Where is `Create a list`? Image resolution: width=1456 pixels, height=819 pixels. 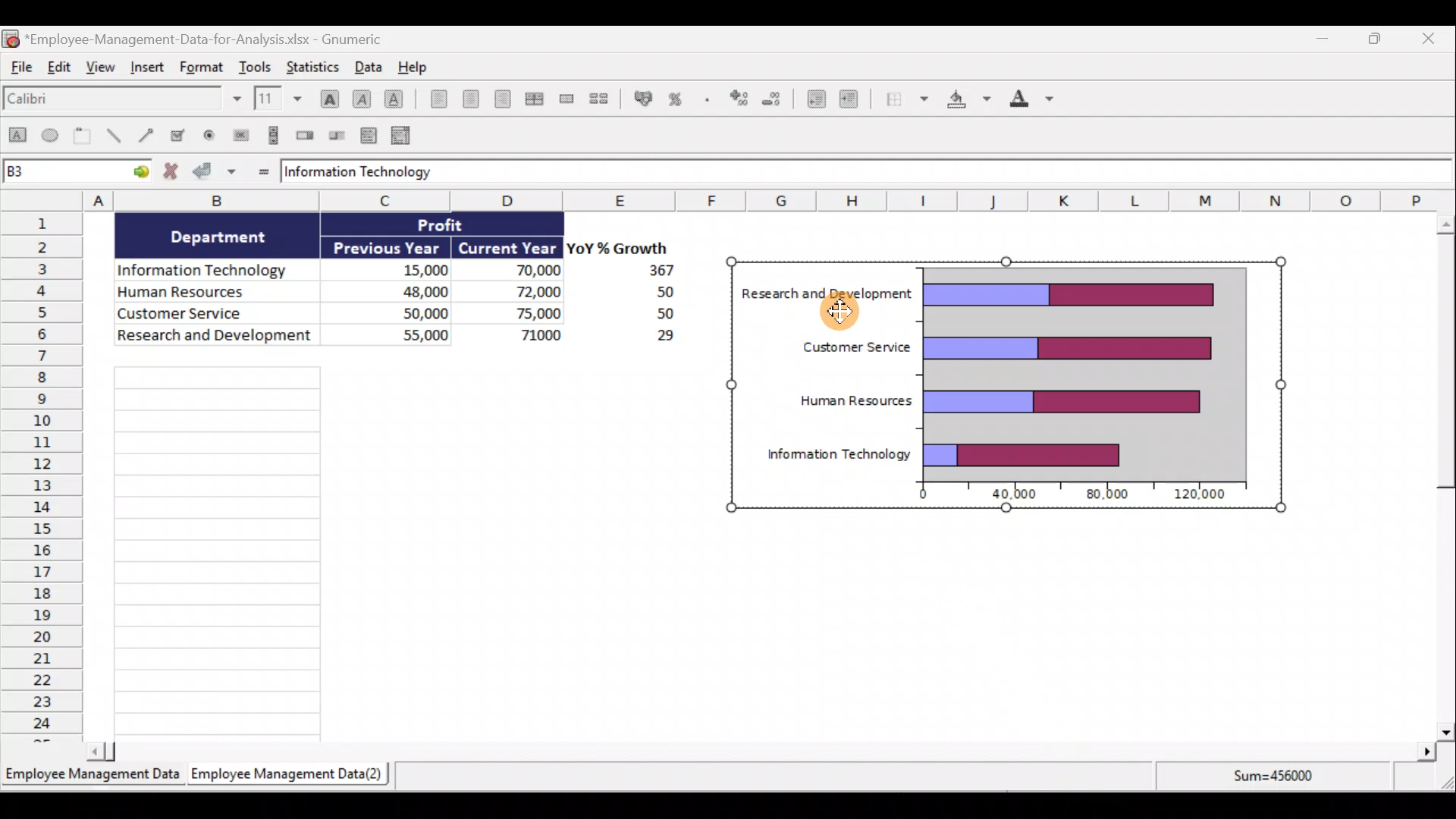
Create a list is located at coordinates (370, 132).